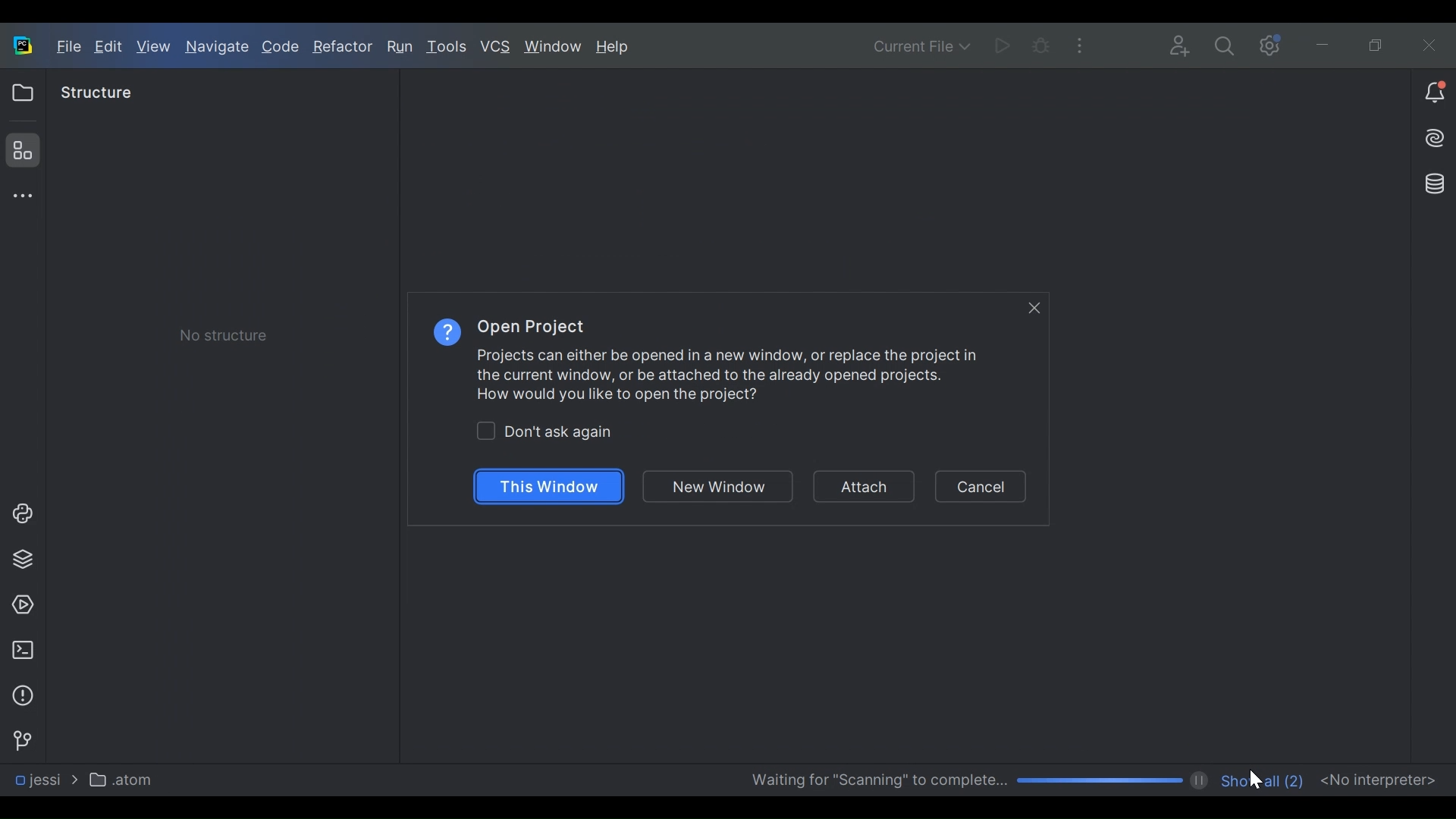  What do you see at coordinates (1377, 778) in the screenshot?
I see `<No interpreter>` at bounding box center [1377, 778].